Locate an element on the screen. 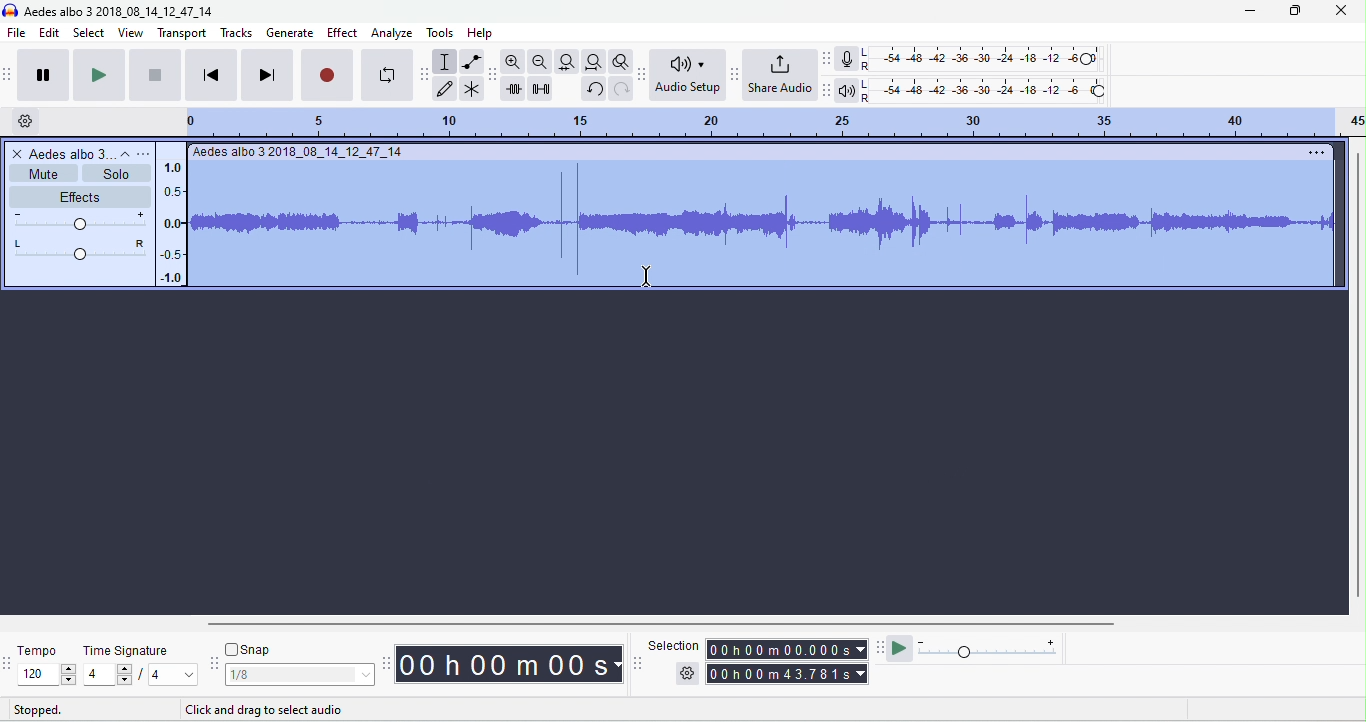 The image size is (1366, 722). draw tool is located at coordinates (444, 89).